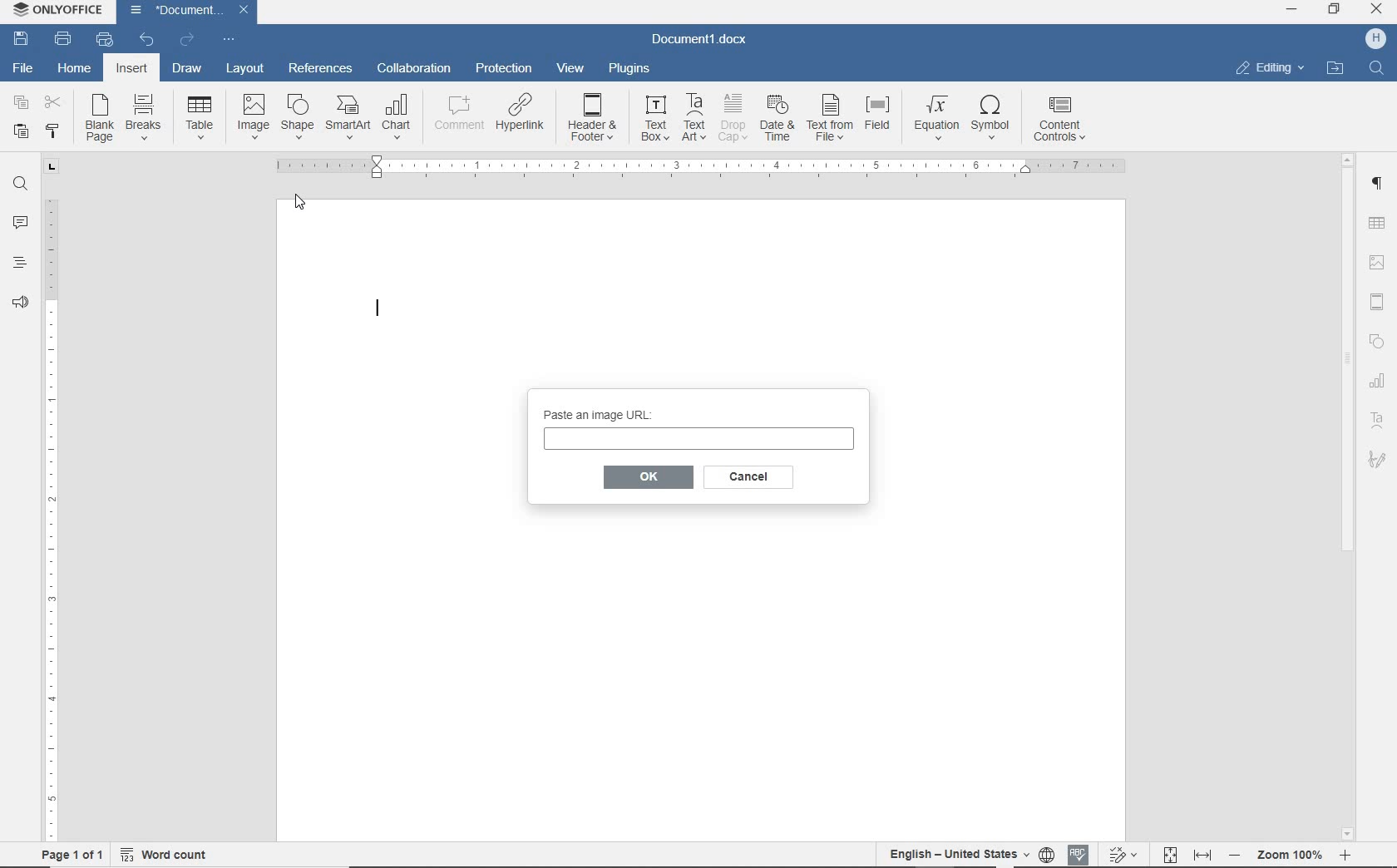 This screenshot has width=1397, height=868. I want to click on Pointer, so click(299, 204).